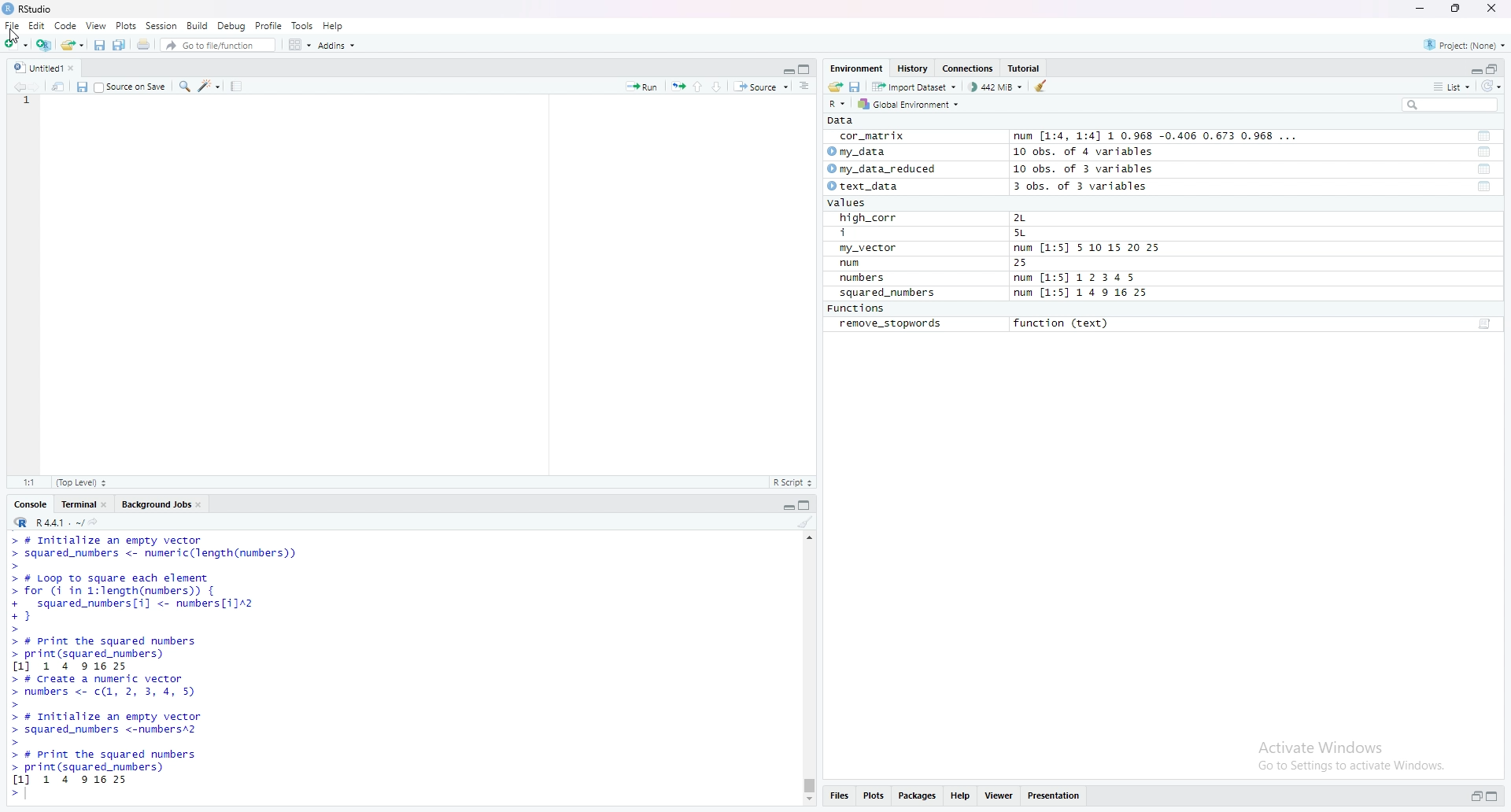 The image size is (1511, 812). Describe the element at coordinates (785, 507) in the screenshot. I see `minimize` at that location.